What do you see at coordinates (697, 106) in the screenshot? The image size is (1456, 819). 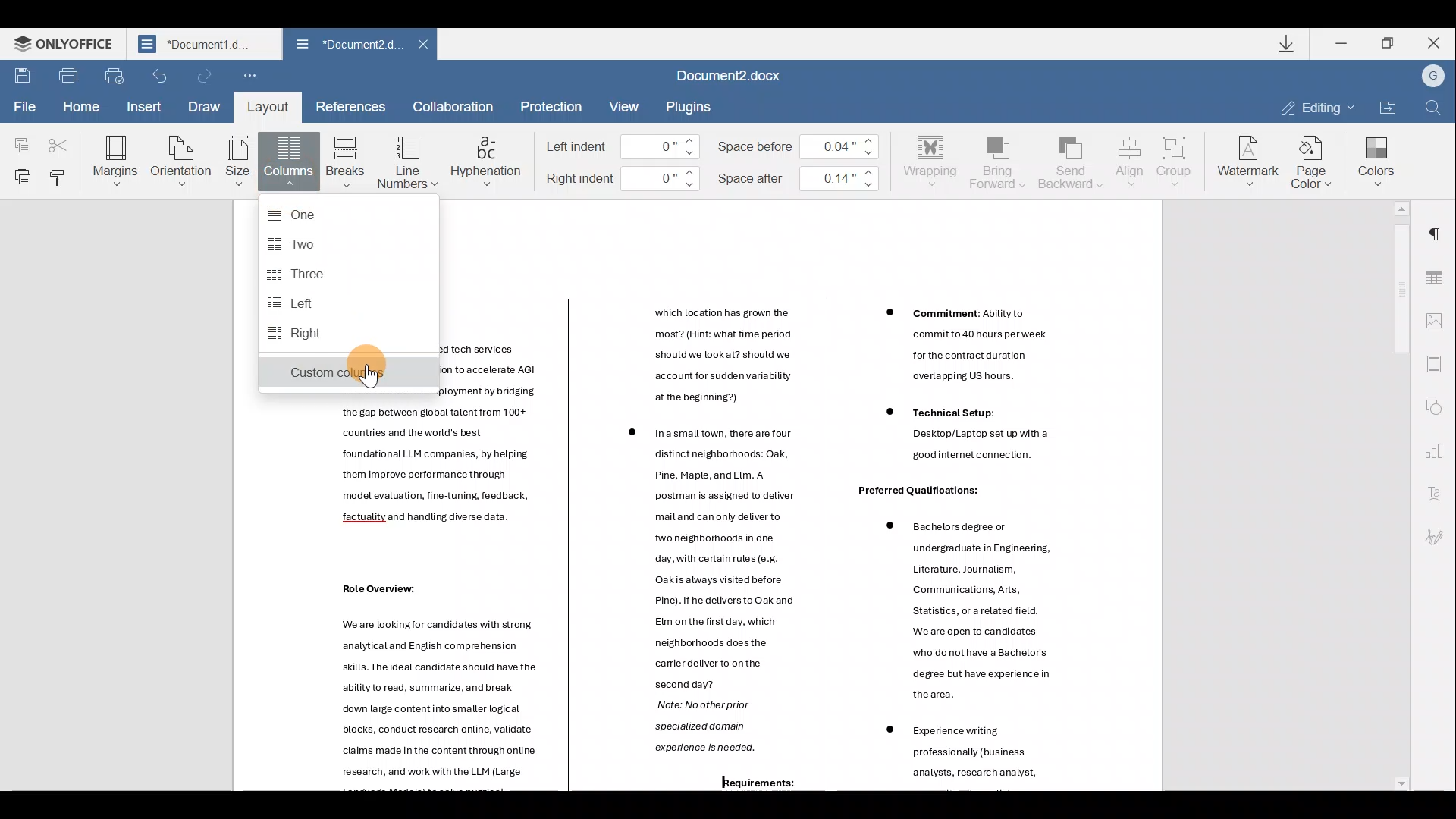 I see `Plugin` at bounding box center [697, 106].